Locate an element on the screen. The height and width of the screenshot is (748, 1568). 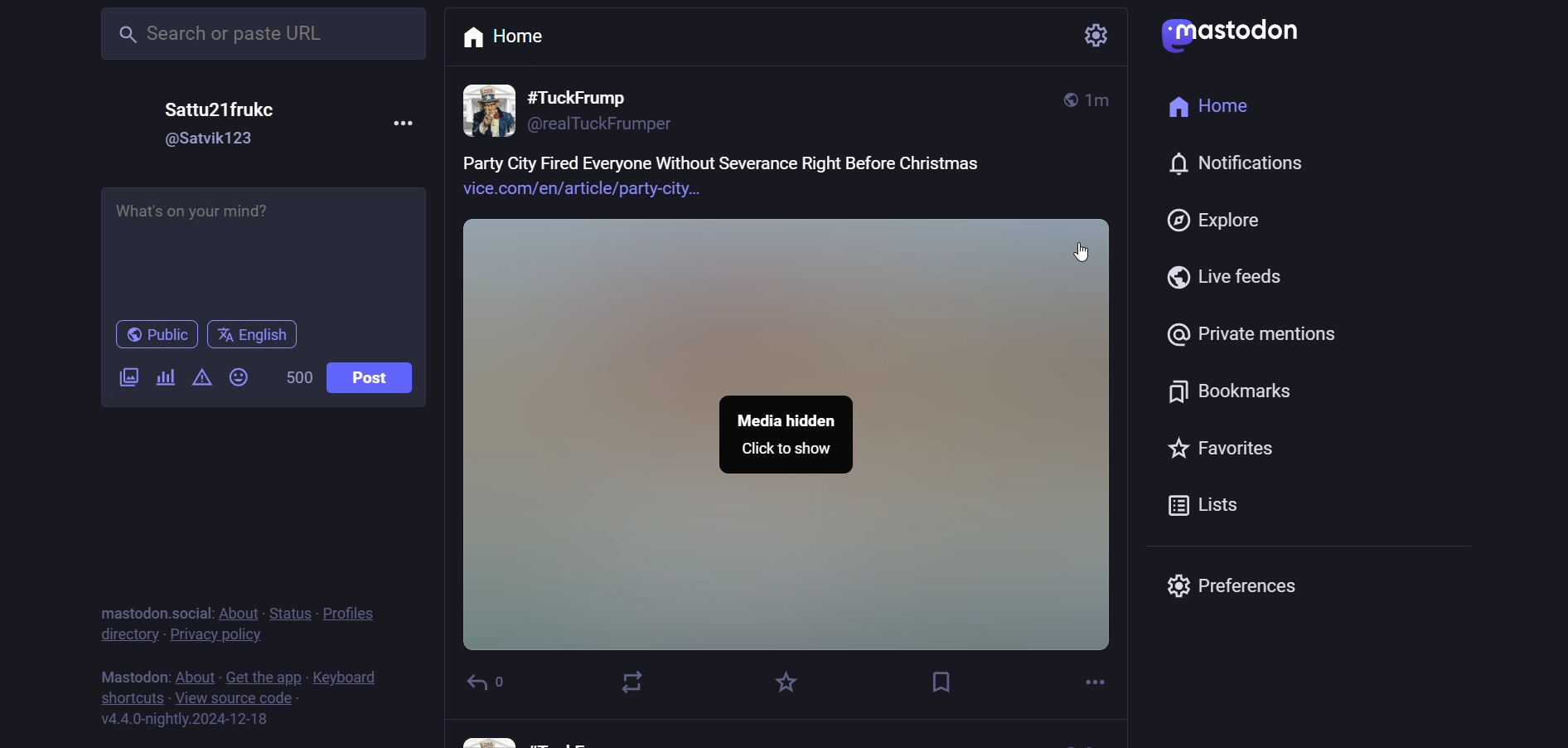
Keyboard is located at coordinates (346, 675).